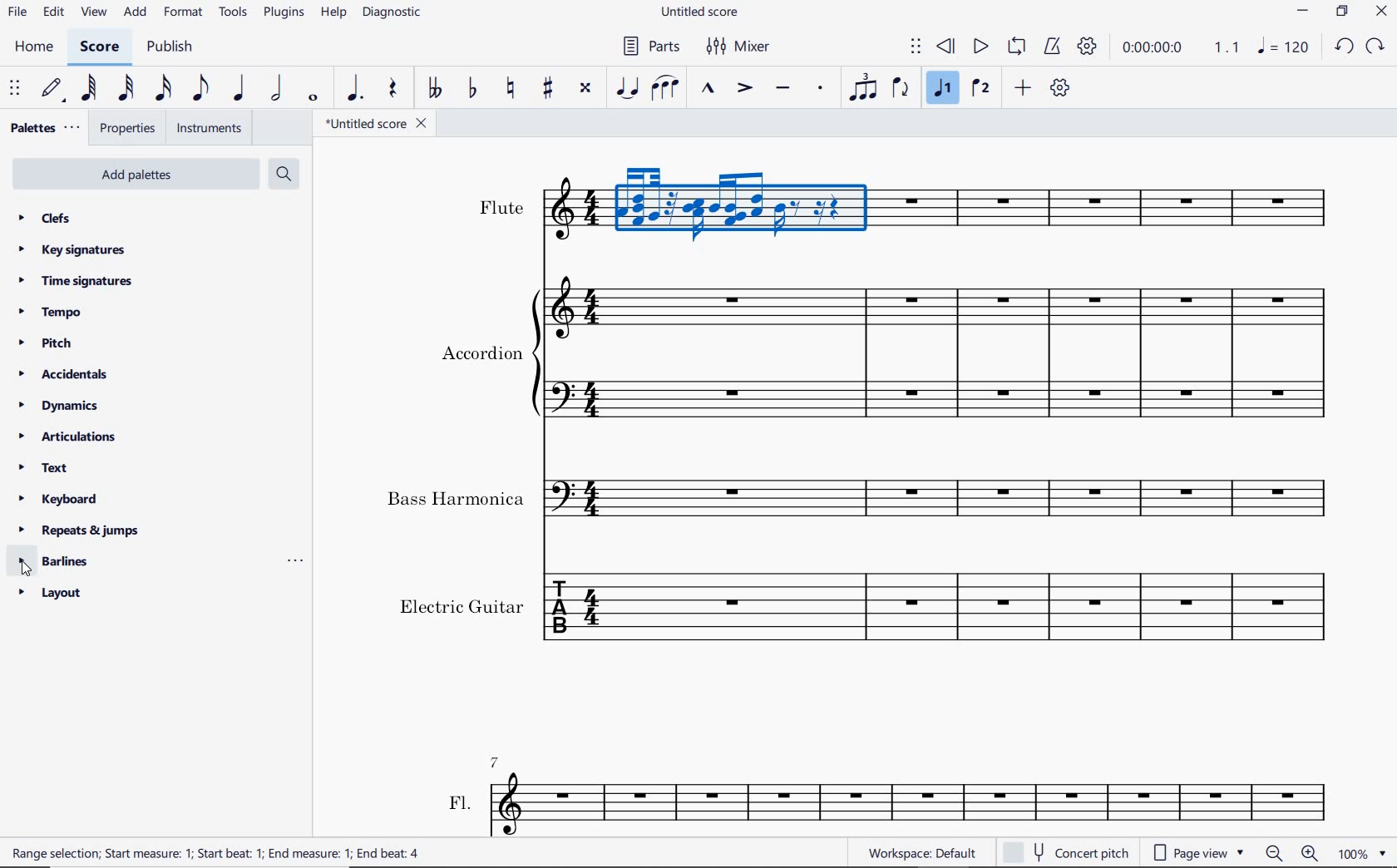 This screenshot has width=1397, height=868. Describe the element at coordinates (136, 12) in the screenshot. I see `add` at that location.